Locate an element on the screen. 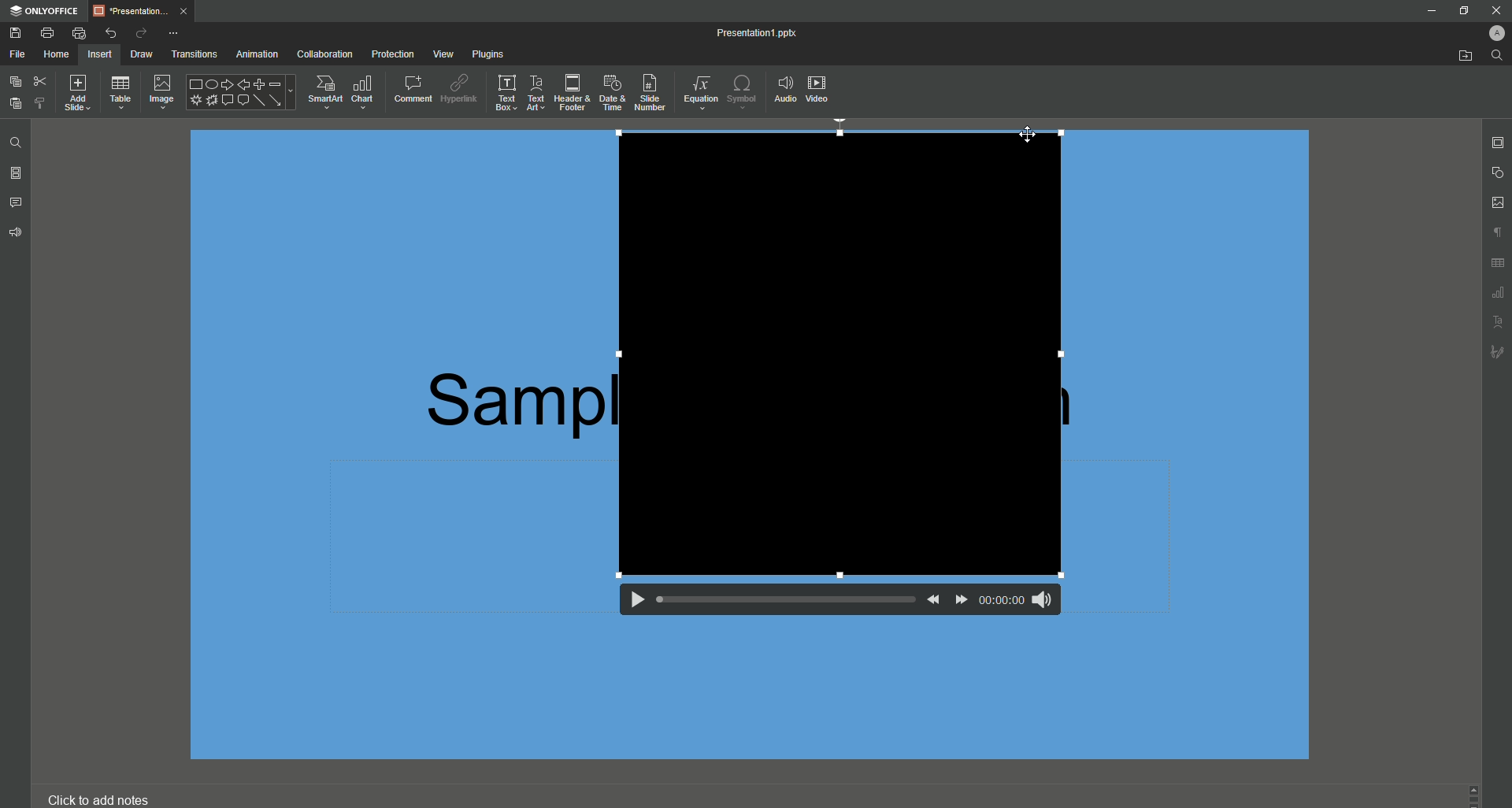  Add Slide is located at coordinates (77, 91).